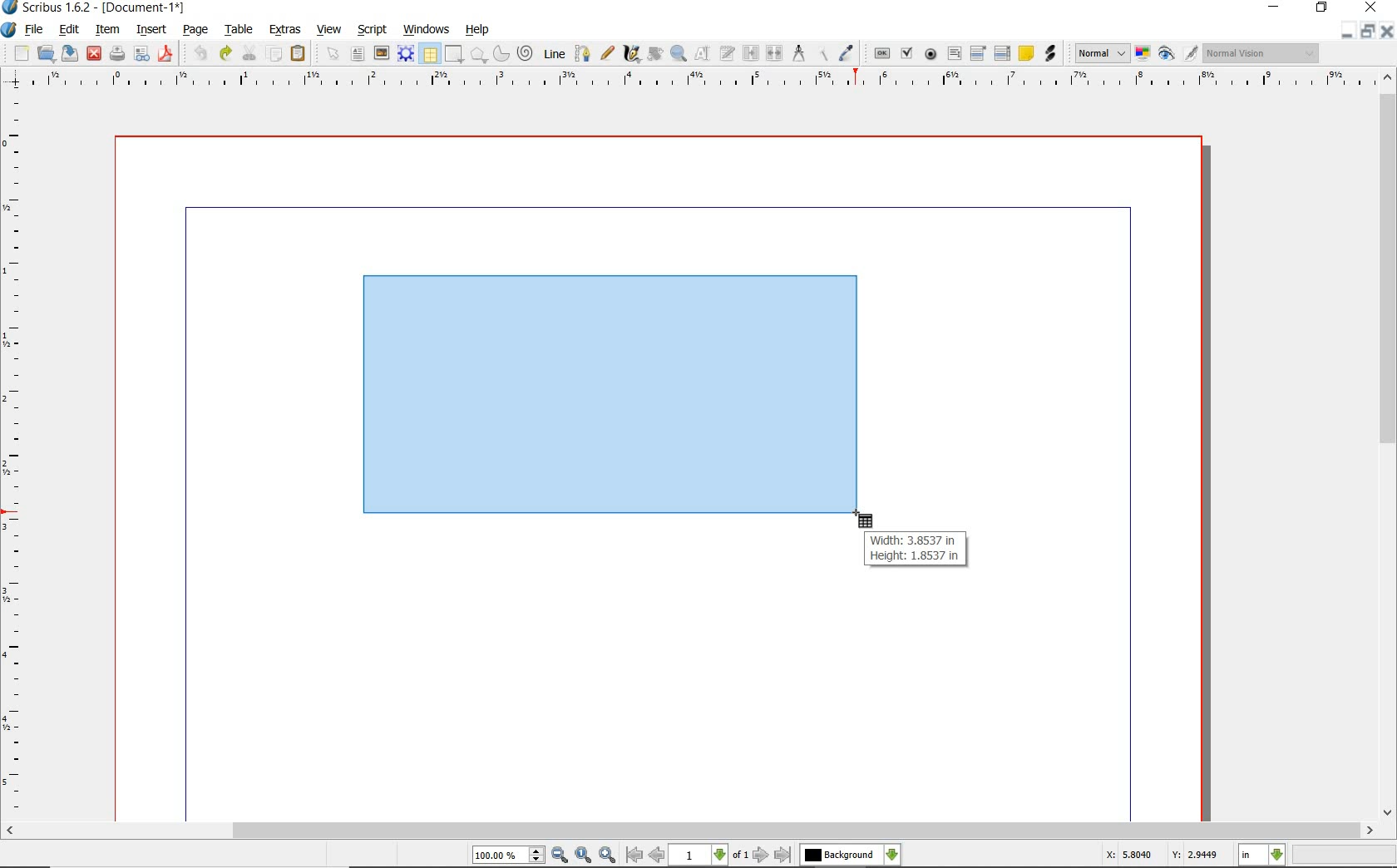 This screenshot has height=868, width=1397. What do you see at coordinates (165, 53) in the screenshot?
I see `save as pdf` at bounding box center [165, 53].